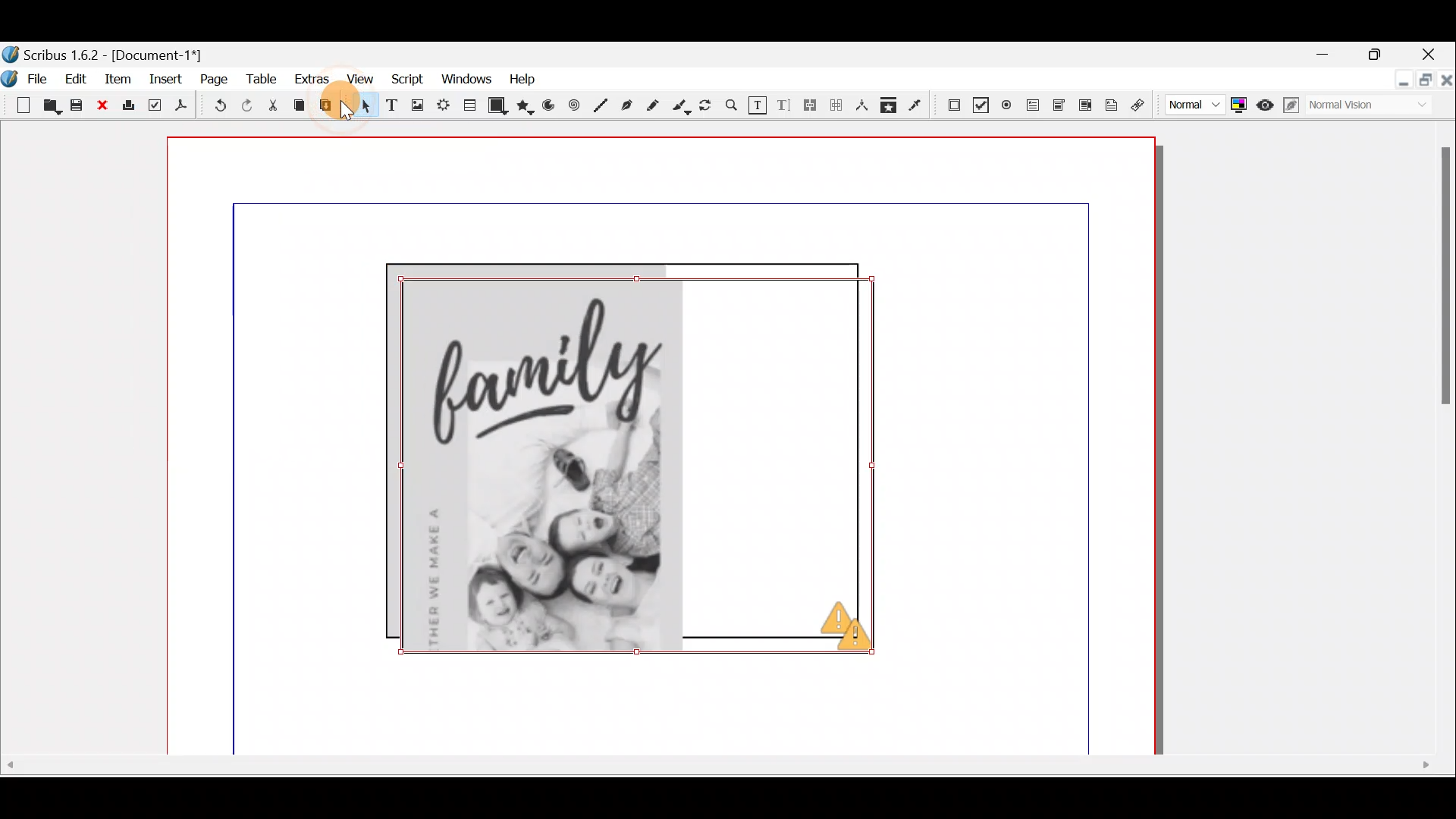 The image size is (1456, 819). I want to click on Copy item properties, so click(893, 107).